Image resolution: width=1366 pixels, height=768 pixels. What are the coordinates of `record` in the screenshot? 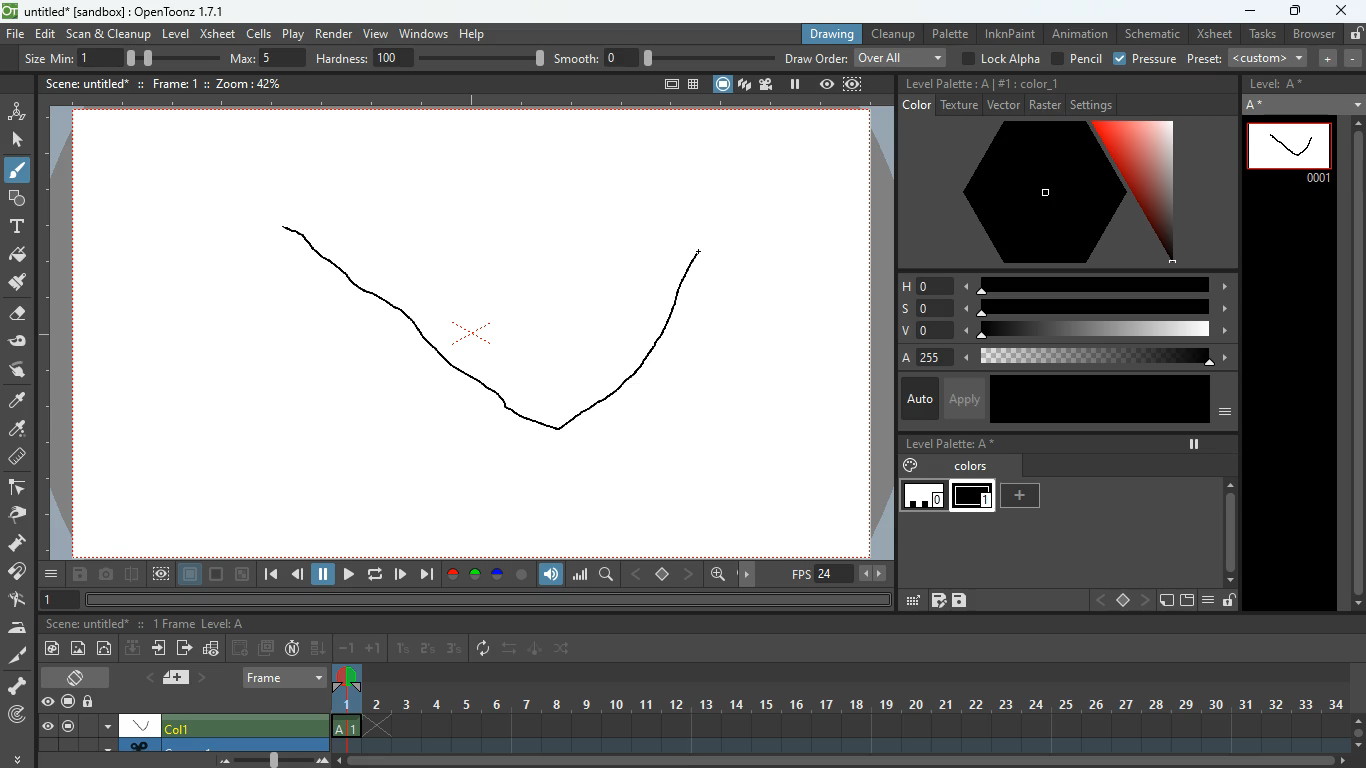 It's located at (67, 703).